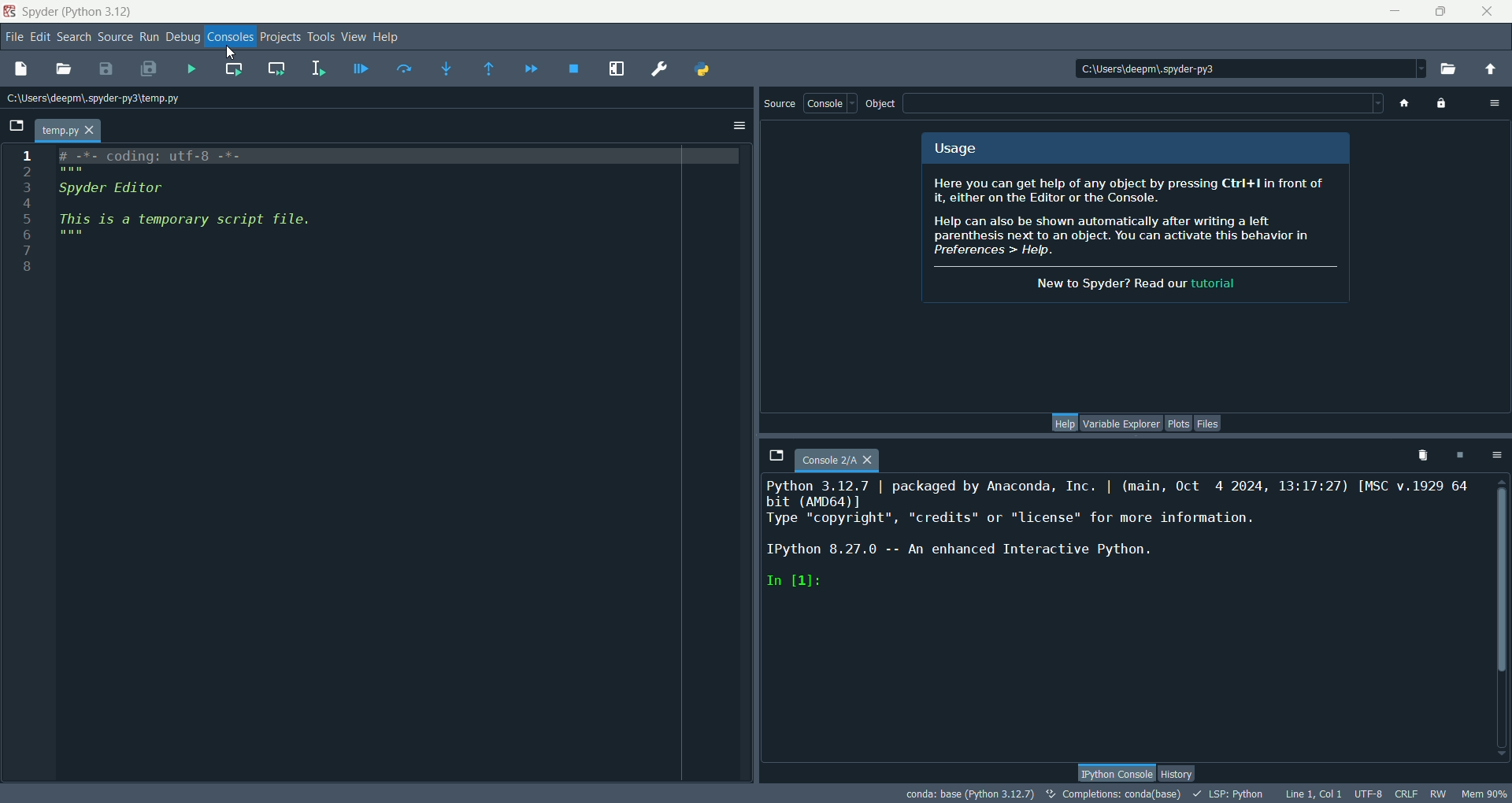  I want to click on open, so click(62, 68).